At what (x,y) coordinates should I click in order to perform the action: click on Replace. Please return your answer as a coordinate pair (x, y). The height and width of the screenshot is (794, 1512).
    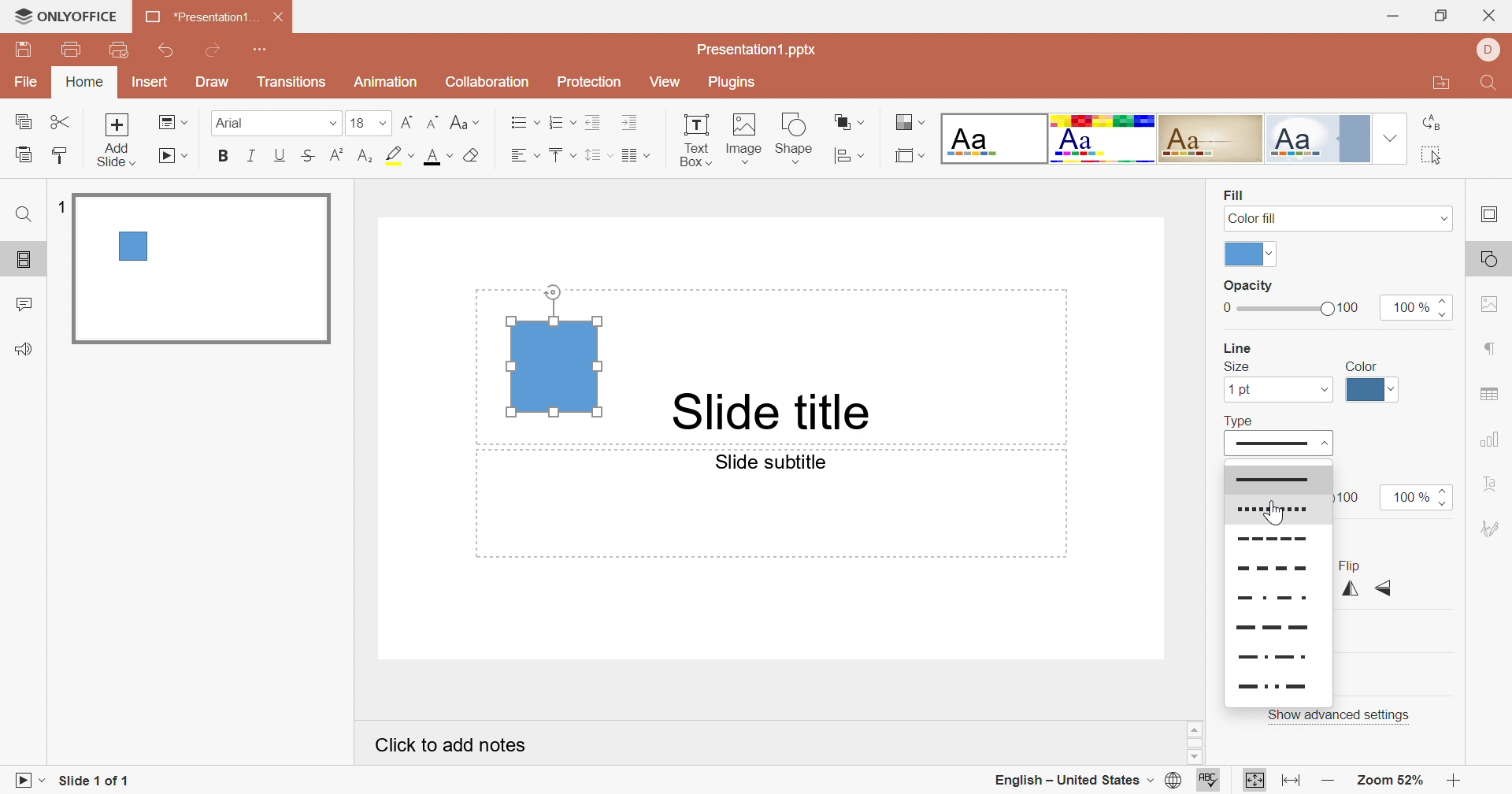
    Looking at the image, I should click on (1430, 118).